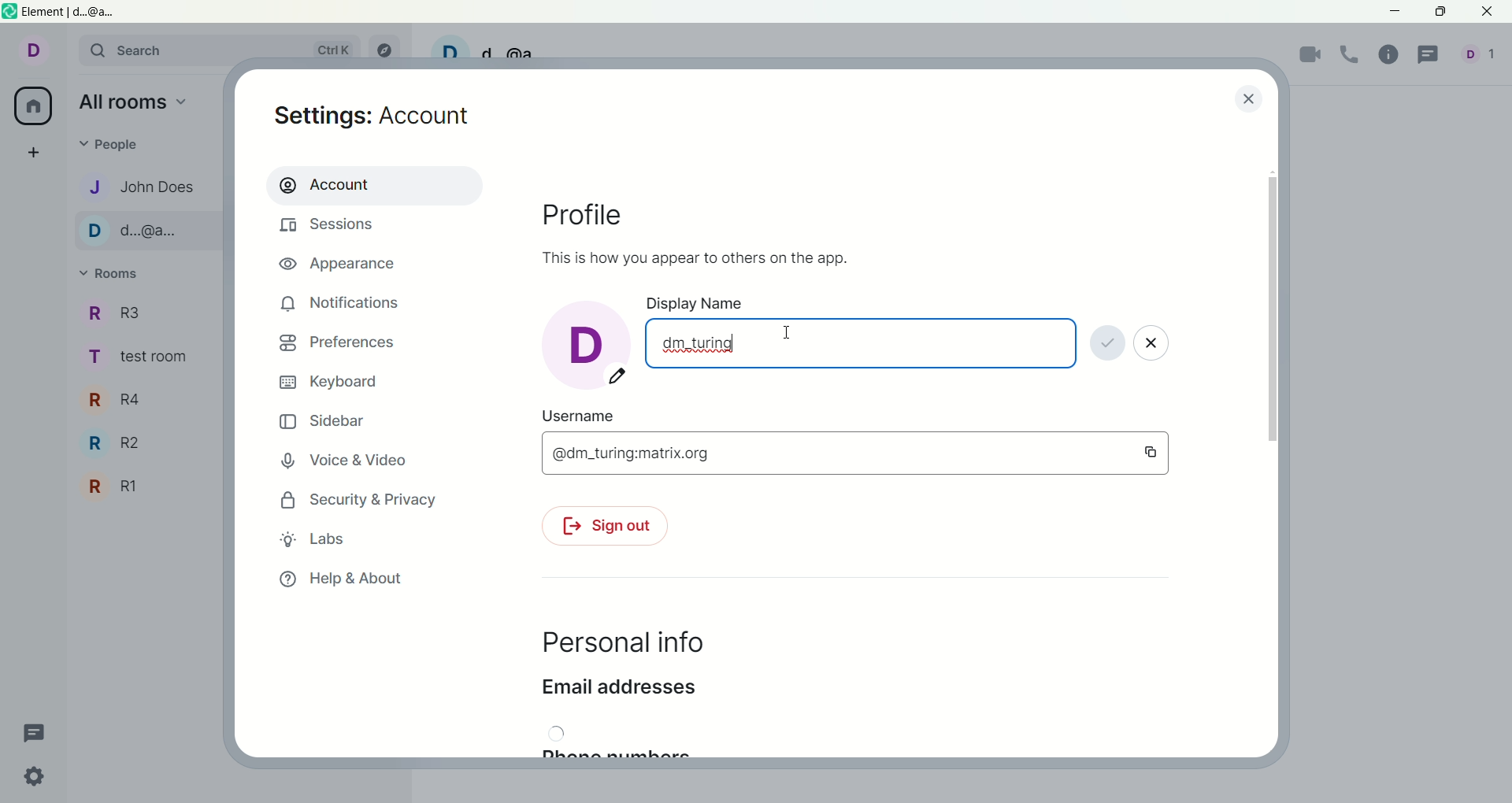  I want to click on maximize, so click(1440, 12).